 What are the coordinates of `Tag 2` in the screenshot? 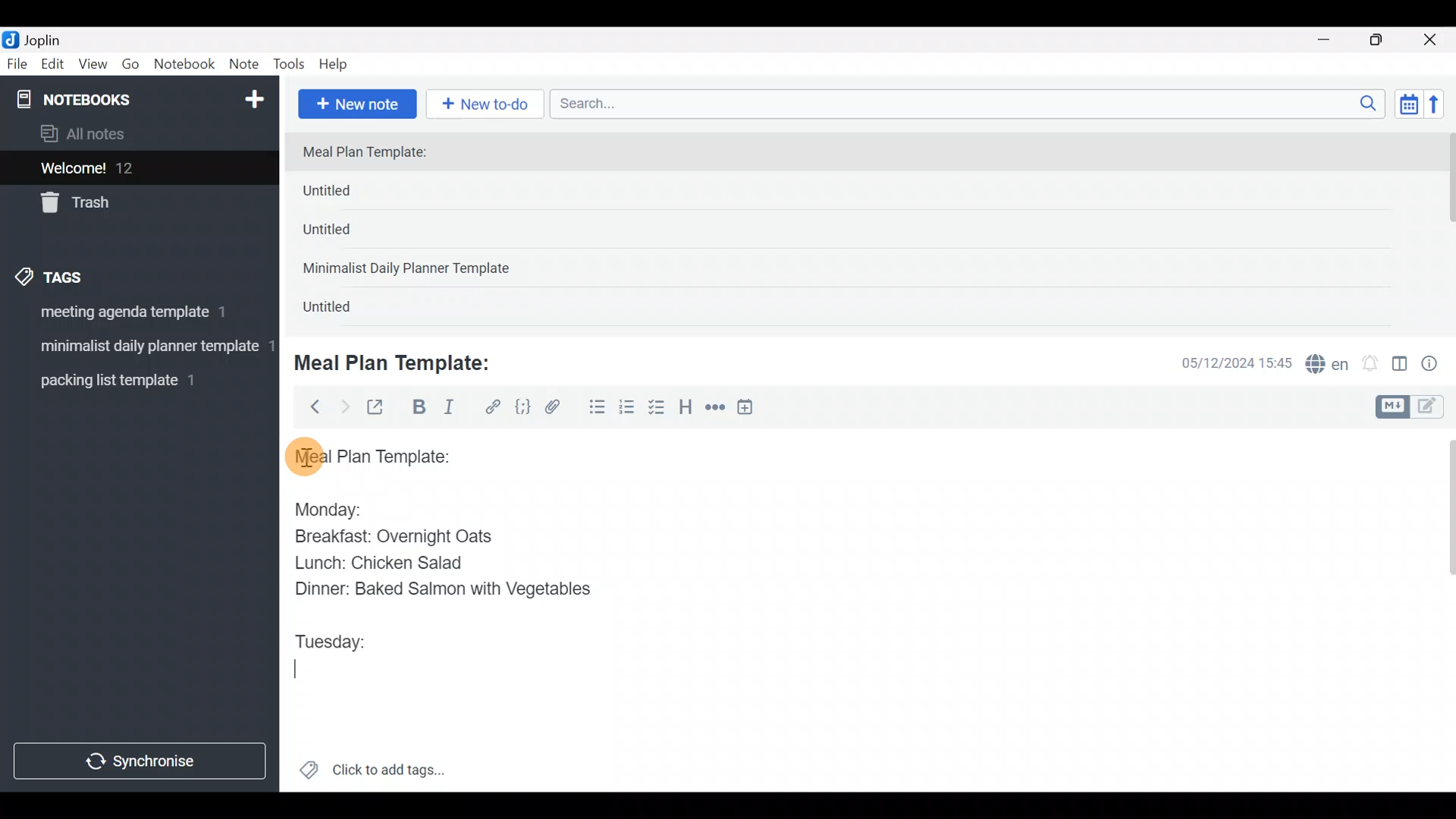 It's located at (139, 348).